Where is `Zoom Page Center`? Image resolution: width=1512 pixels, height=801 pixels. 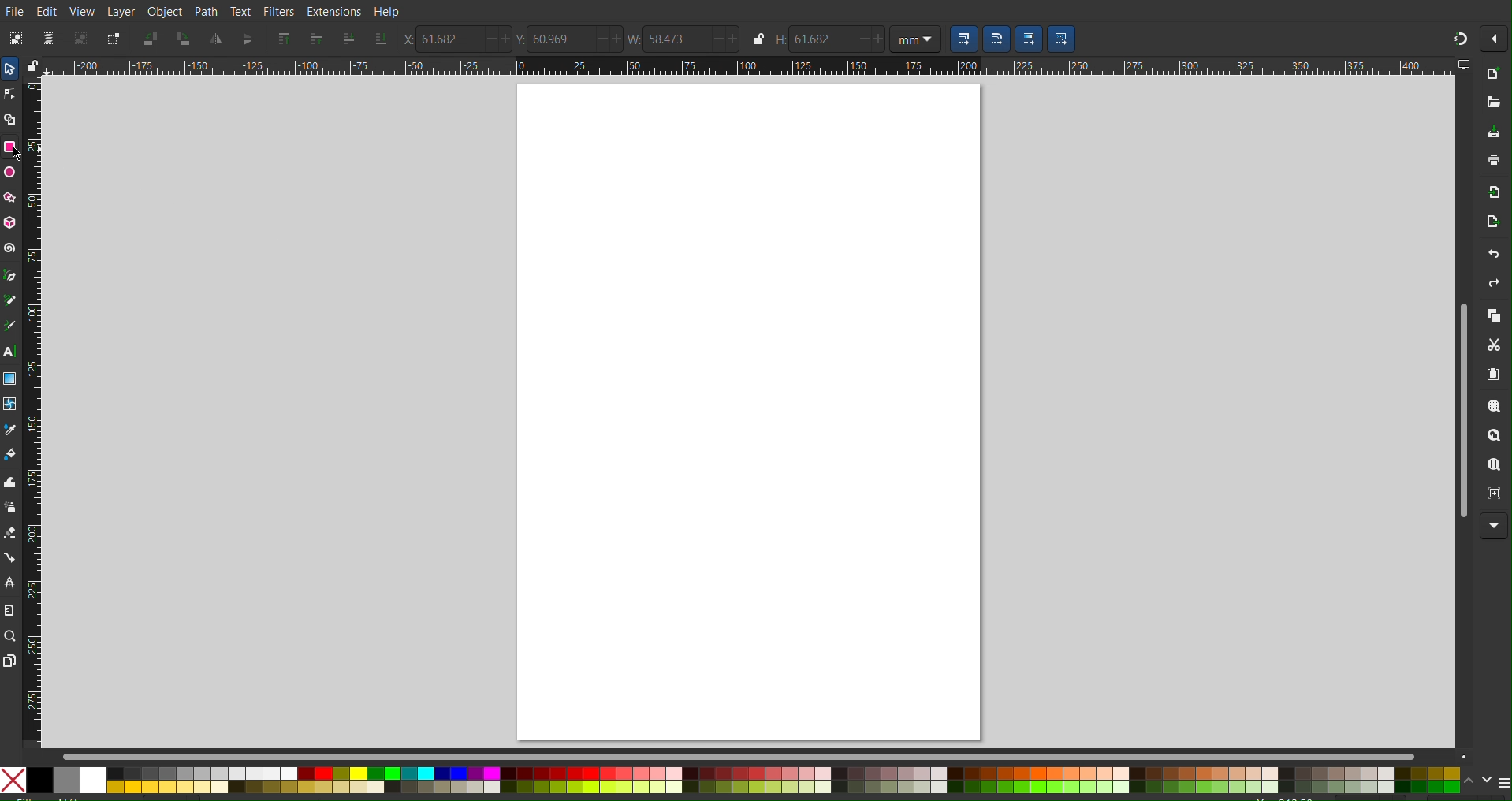
Zoom Page Center is located at coordinates (1494, 495).